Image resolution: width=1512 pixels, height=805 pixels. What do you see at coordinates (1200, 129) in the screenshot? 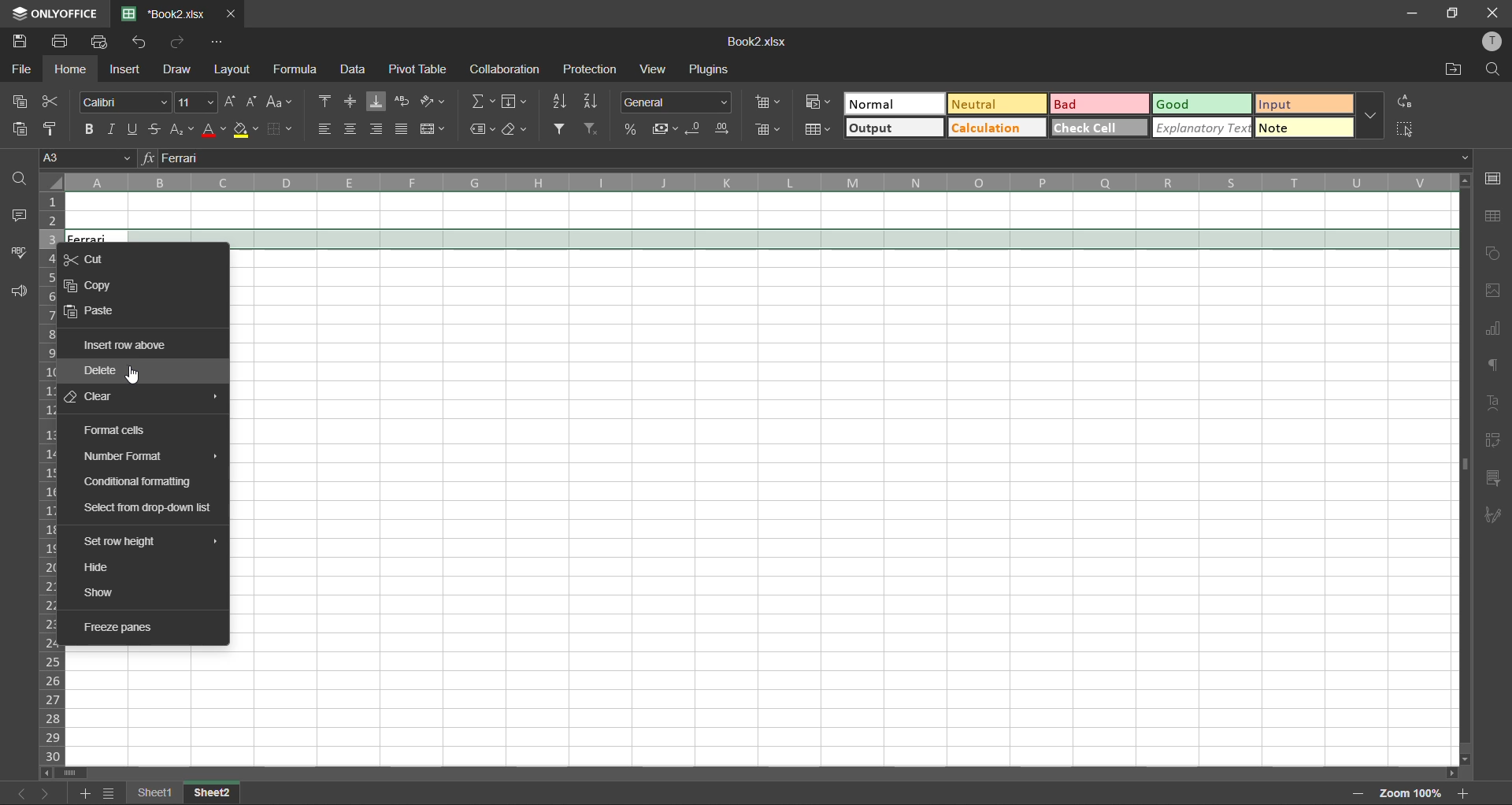
I see `explanatory text` at bounding box center [1200, 129].